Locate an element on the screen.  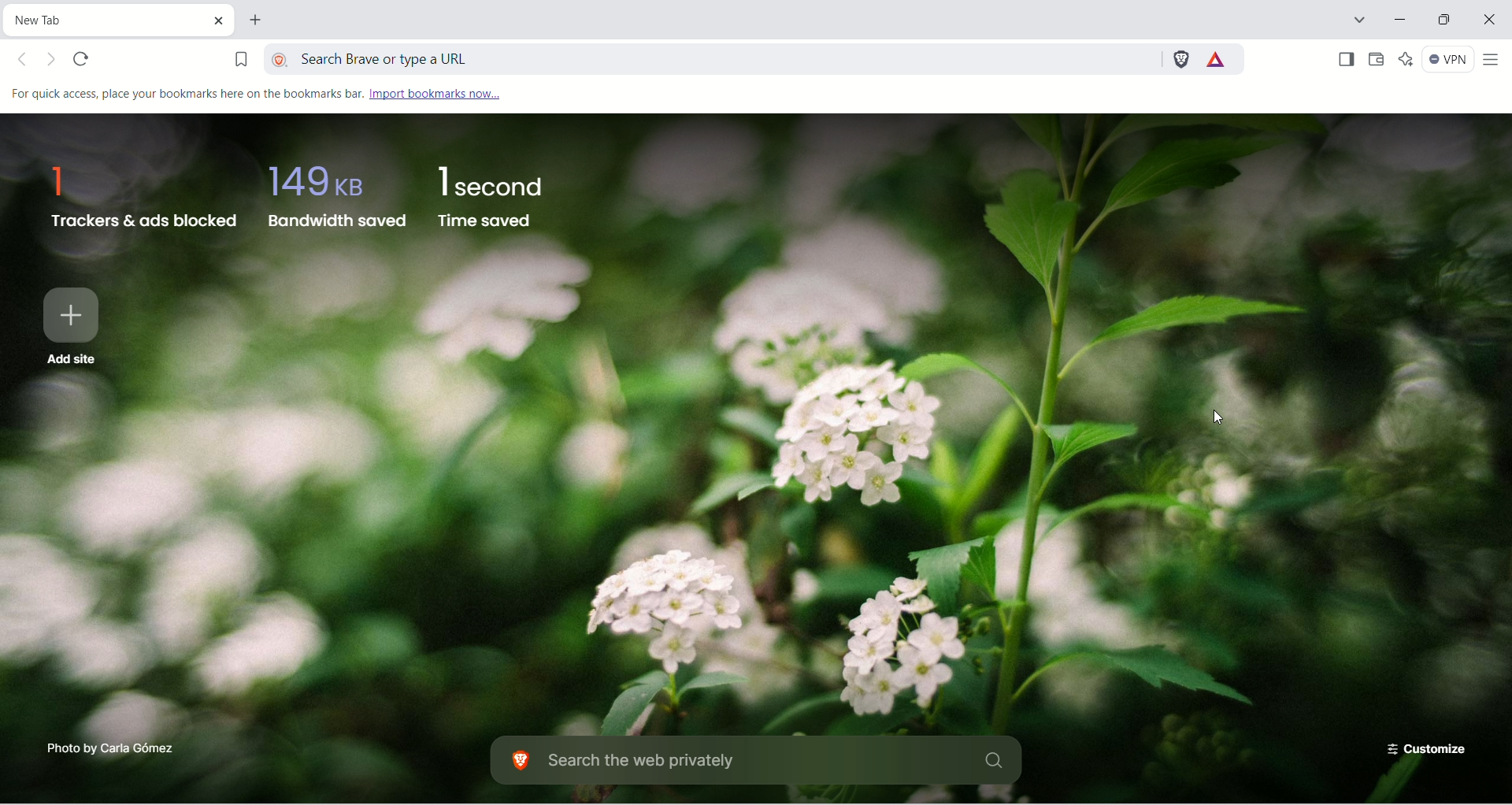
VPN is located at coordinates (1451, 61).